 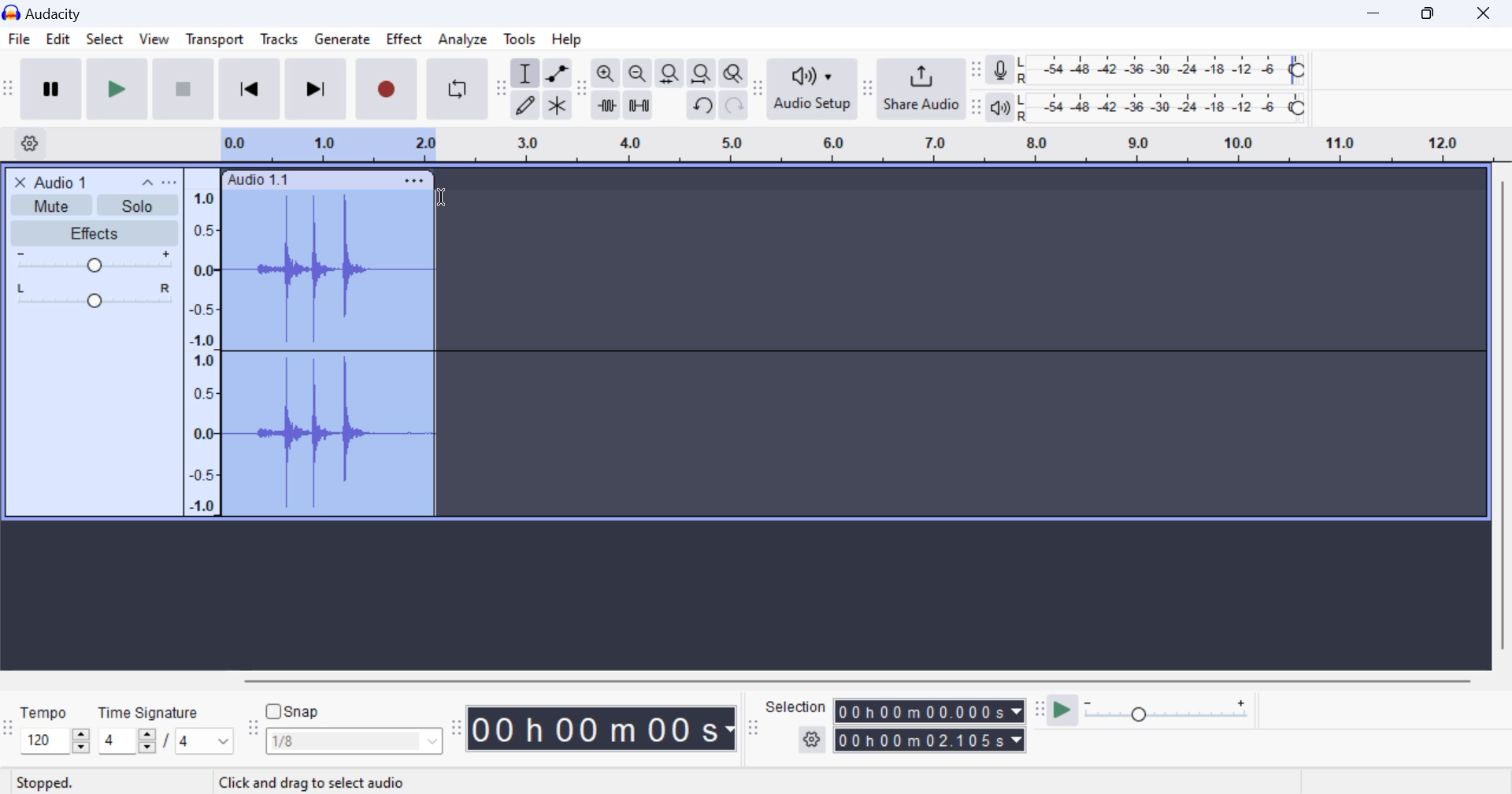 What do you see at coordinates (668, 75) in the screenshot?
I see `fit selection to width` at bounding box center [668, 75].